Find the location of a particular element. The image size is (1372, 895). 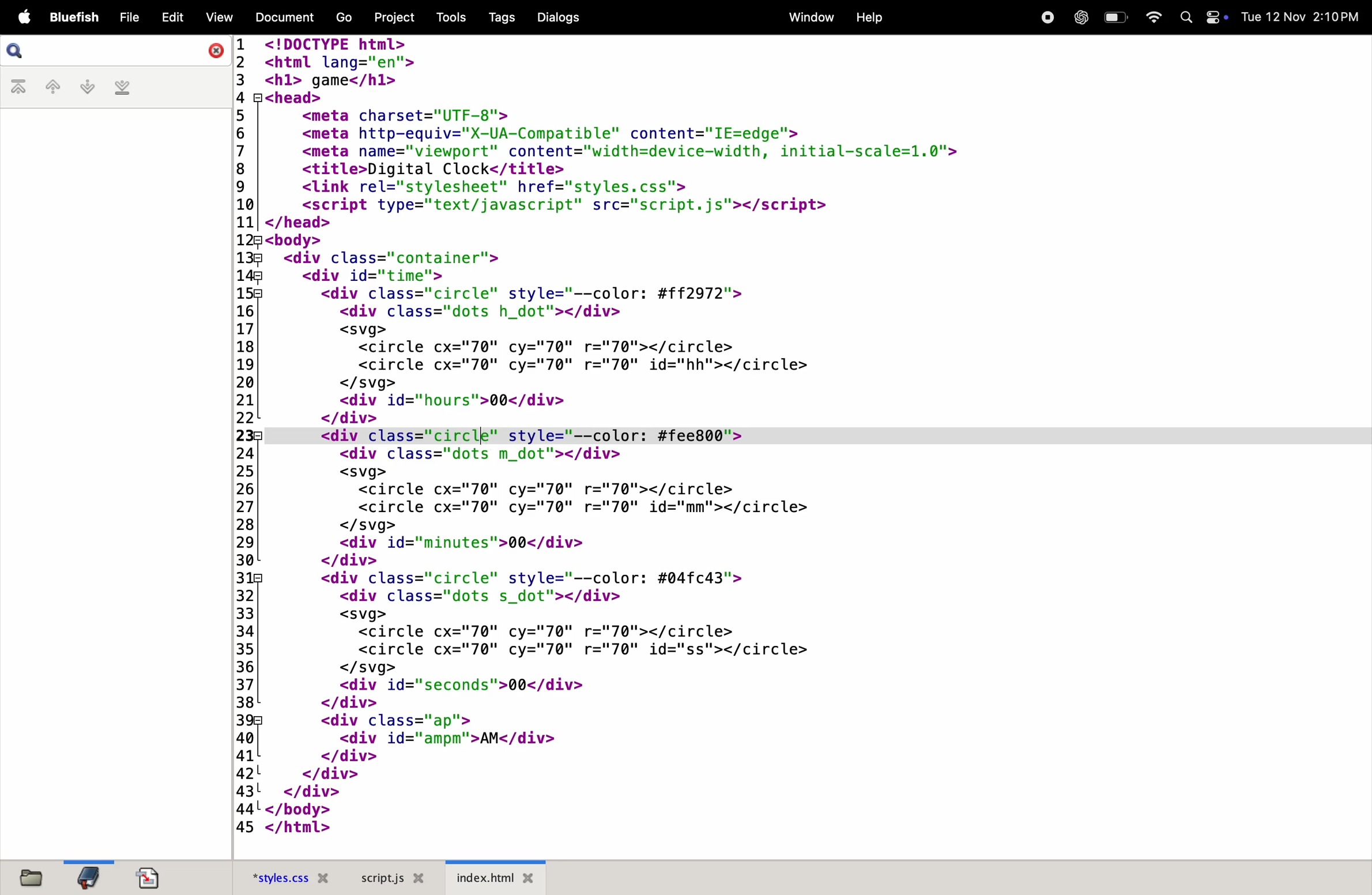

previous bookmark is located at coordinates (52, 87).